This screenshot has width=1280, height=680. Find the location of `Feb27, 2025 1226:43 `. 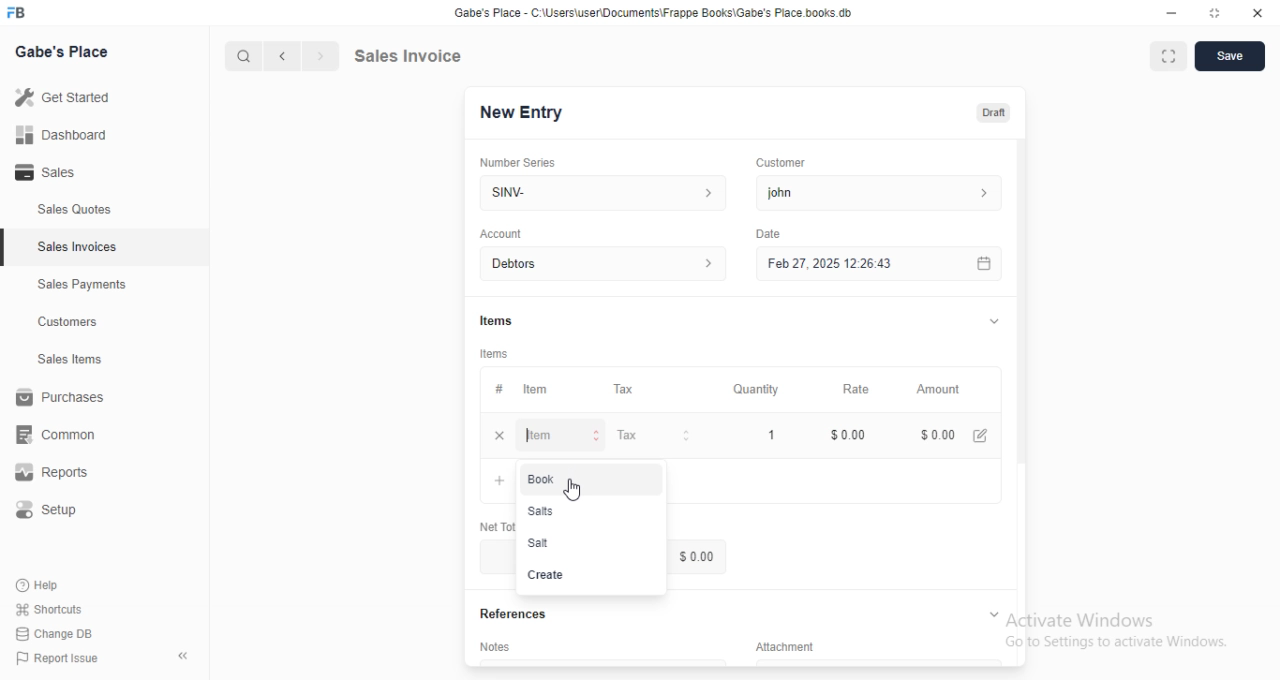

Feb27, 2025 1226:43  is located at coordinates (826, 266).